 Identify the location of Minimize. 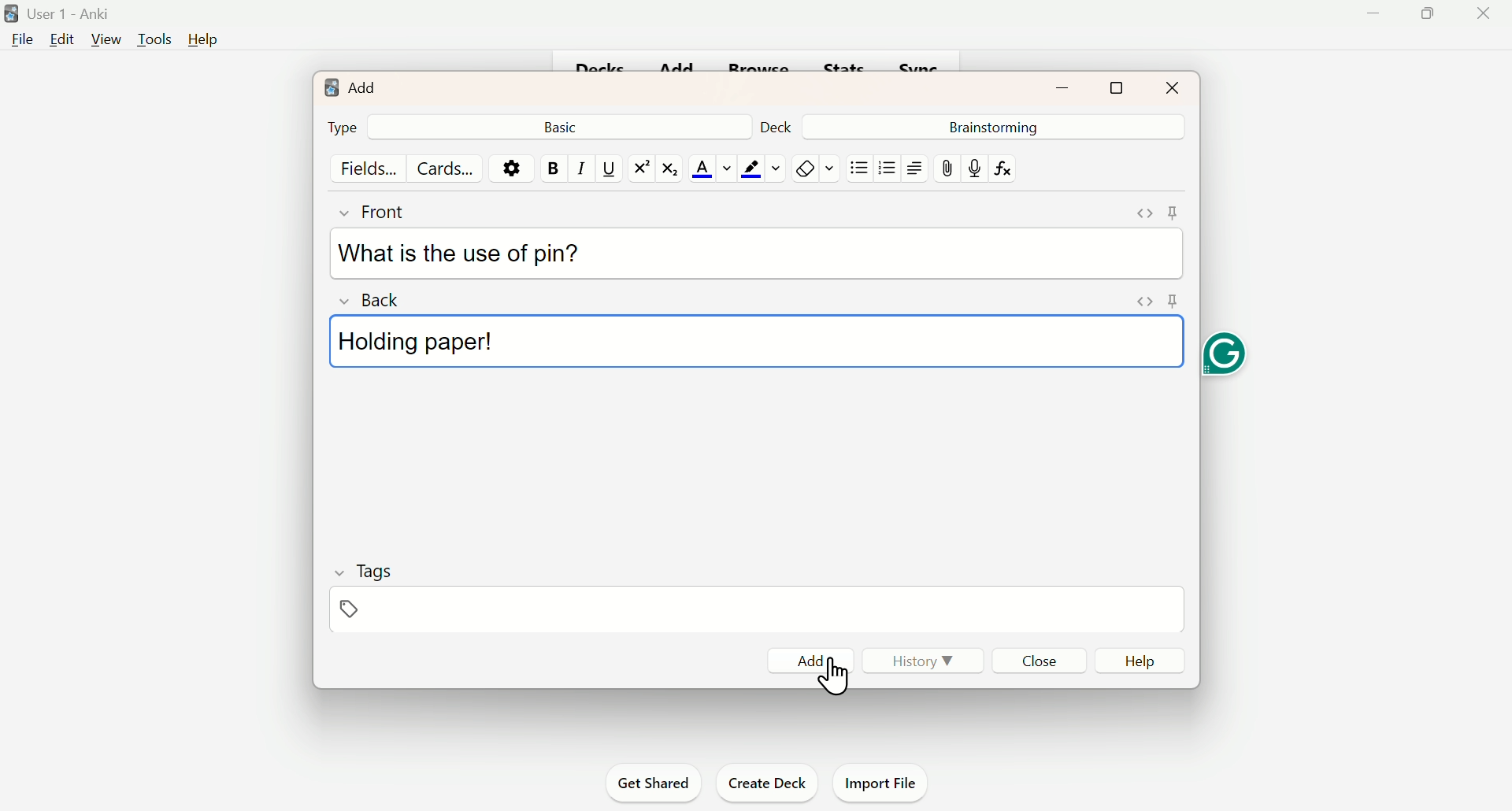
(1065, 86).